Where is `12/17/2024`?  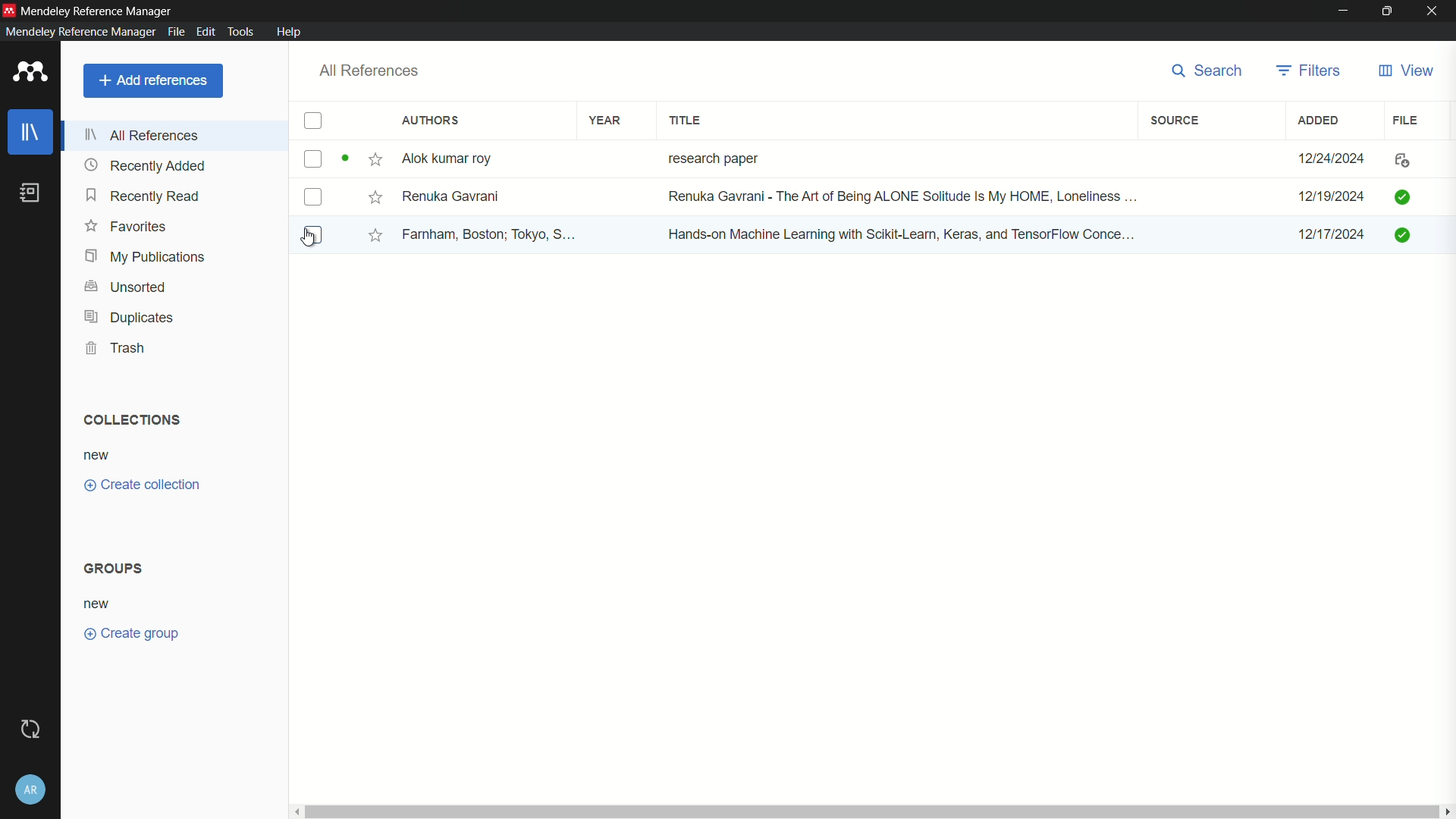 12/17/2024 is located at coordinates (1331, 234).